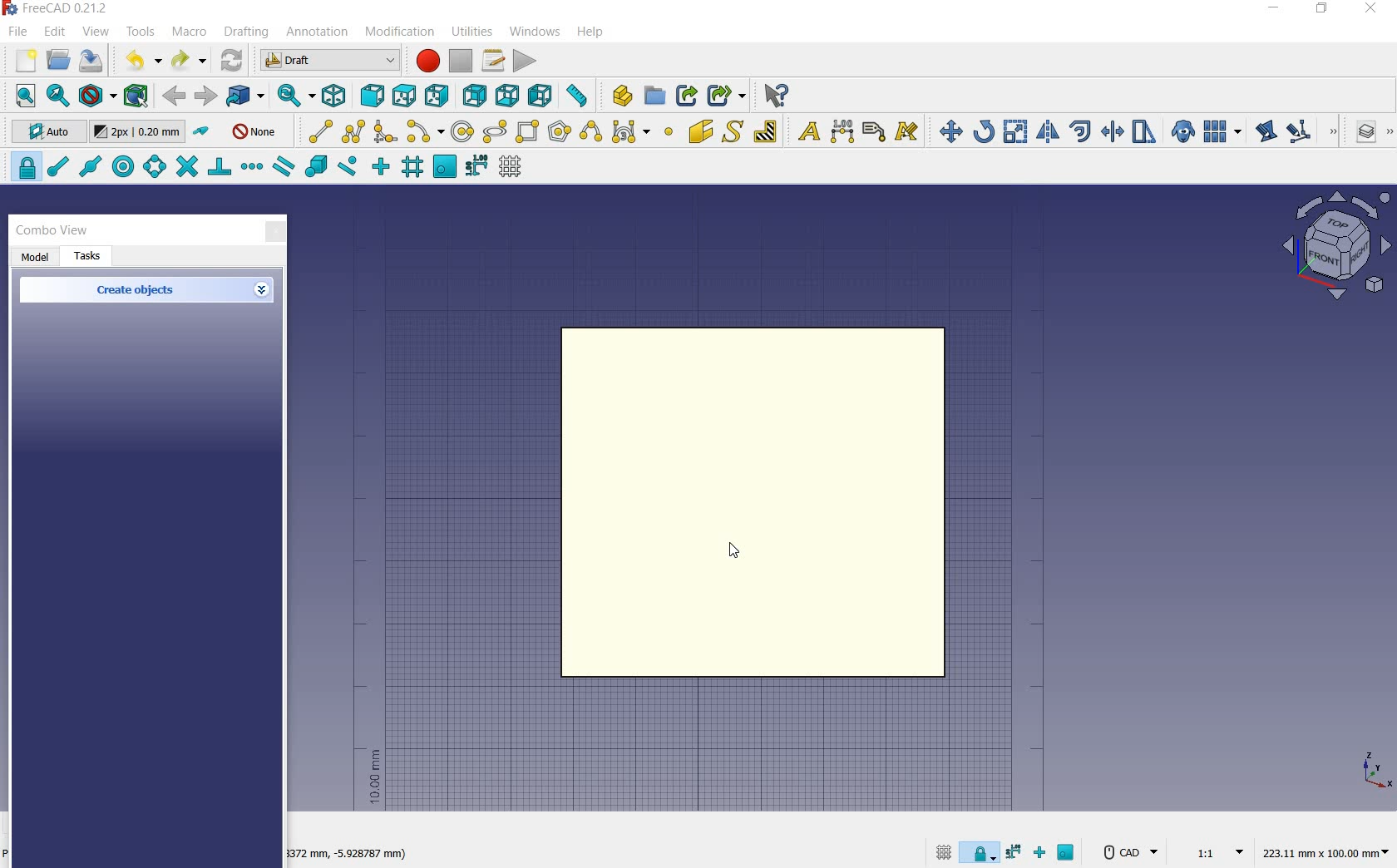 The height and width of the screenshot is (868, 1397). What do you see at coordinates (946, 131) in the screenshot?
I see `move` at bounding box center [946, 131].